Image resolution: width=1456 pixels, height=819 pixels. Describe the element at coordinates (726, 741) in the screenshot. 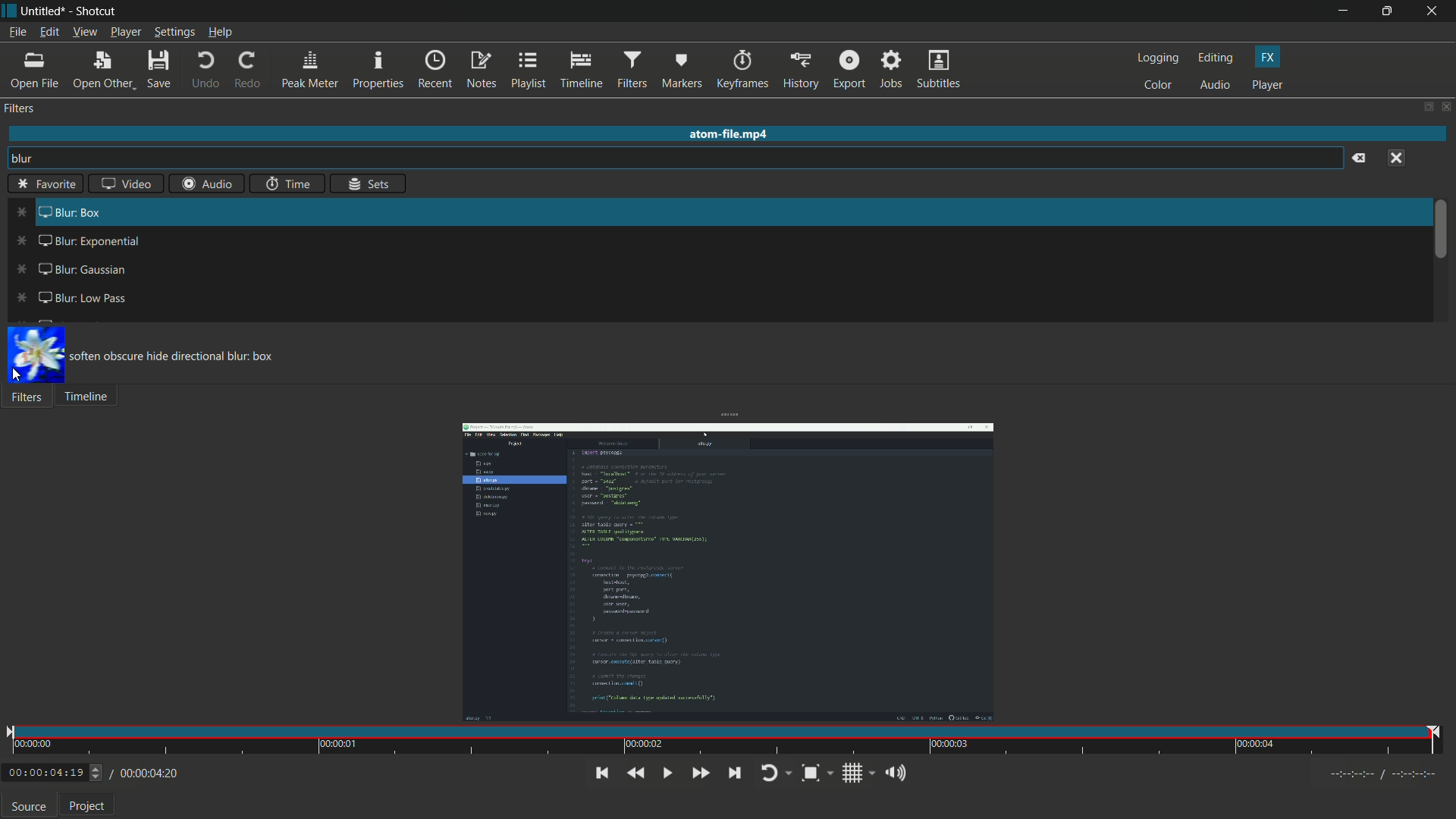

I see `time` at that location.